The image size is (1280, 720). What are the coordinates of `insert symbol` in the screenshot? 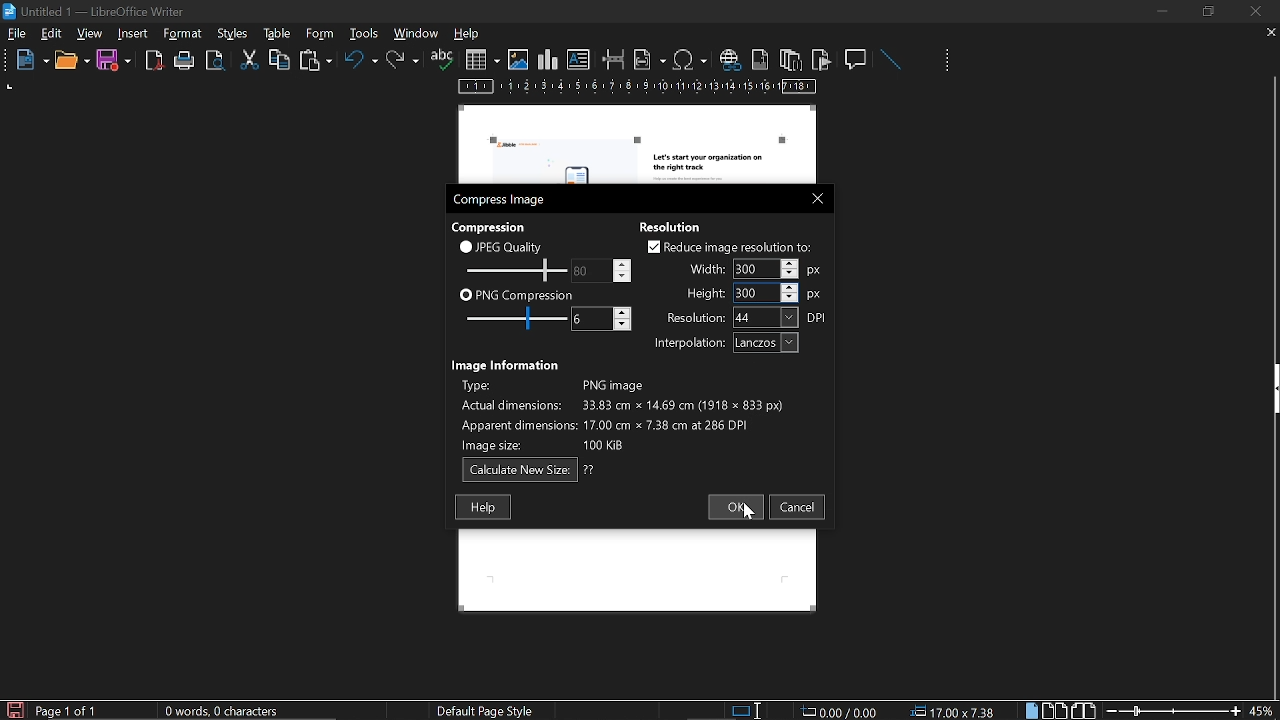 It's located at (690, 59).